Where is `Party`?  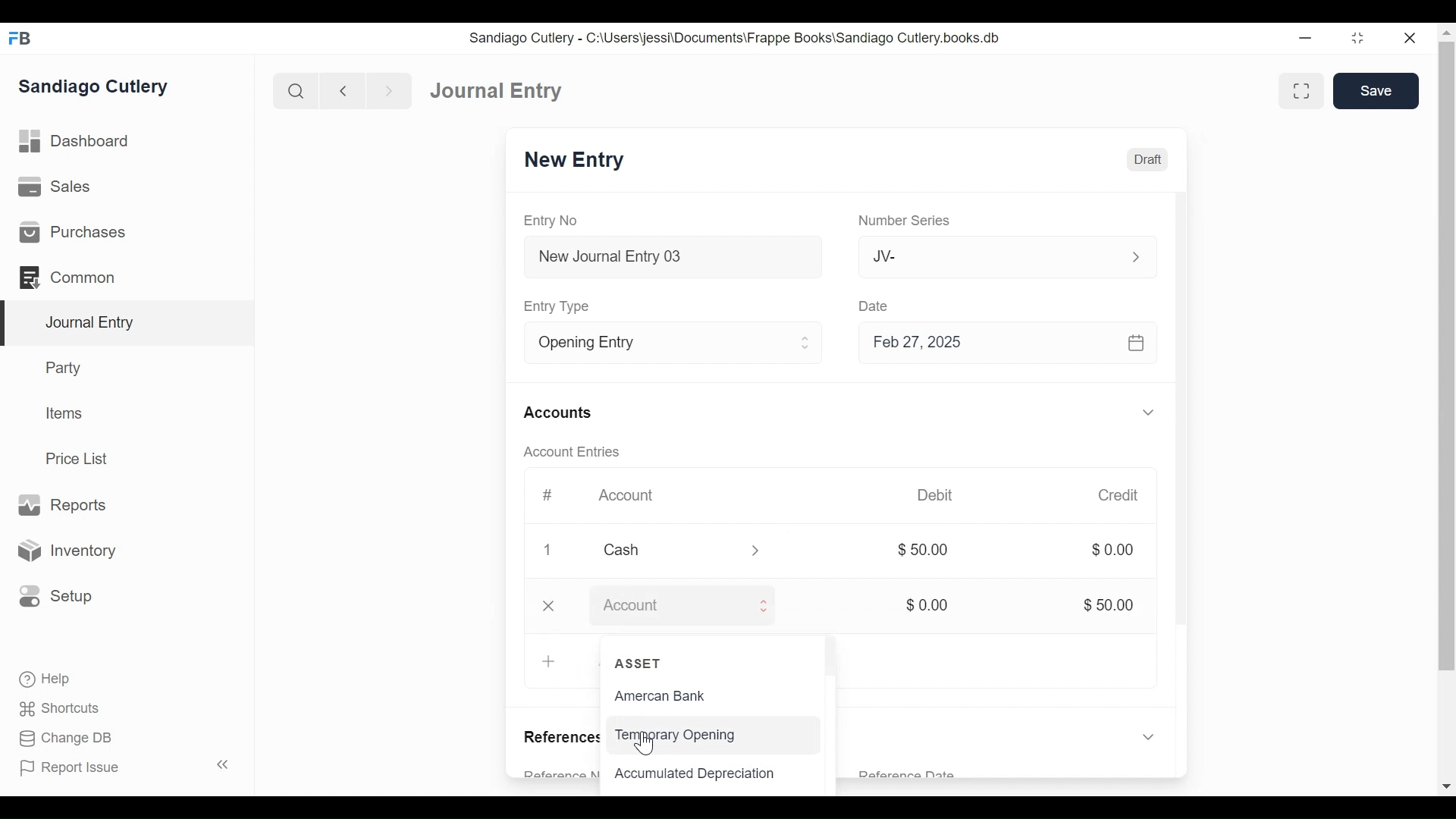
Party is located at coordinates (66, 367).